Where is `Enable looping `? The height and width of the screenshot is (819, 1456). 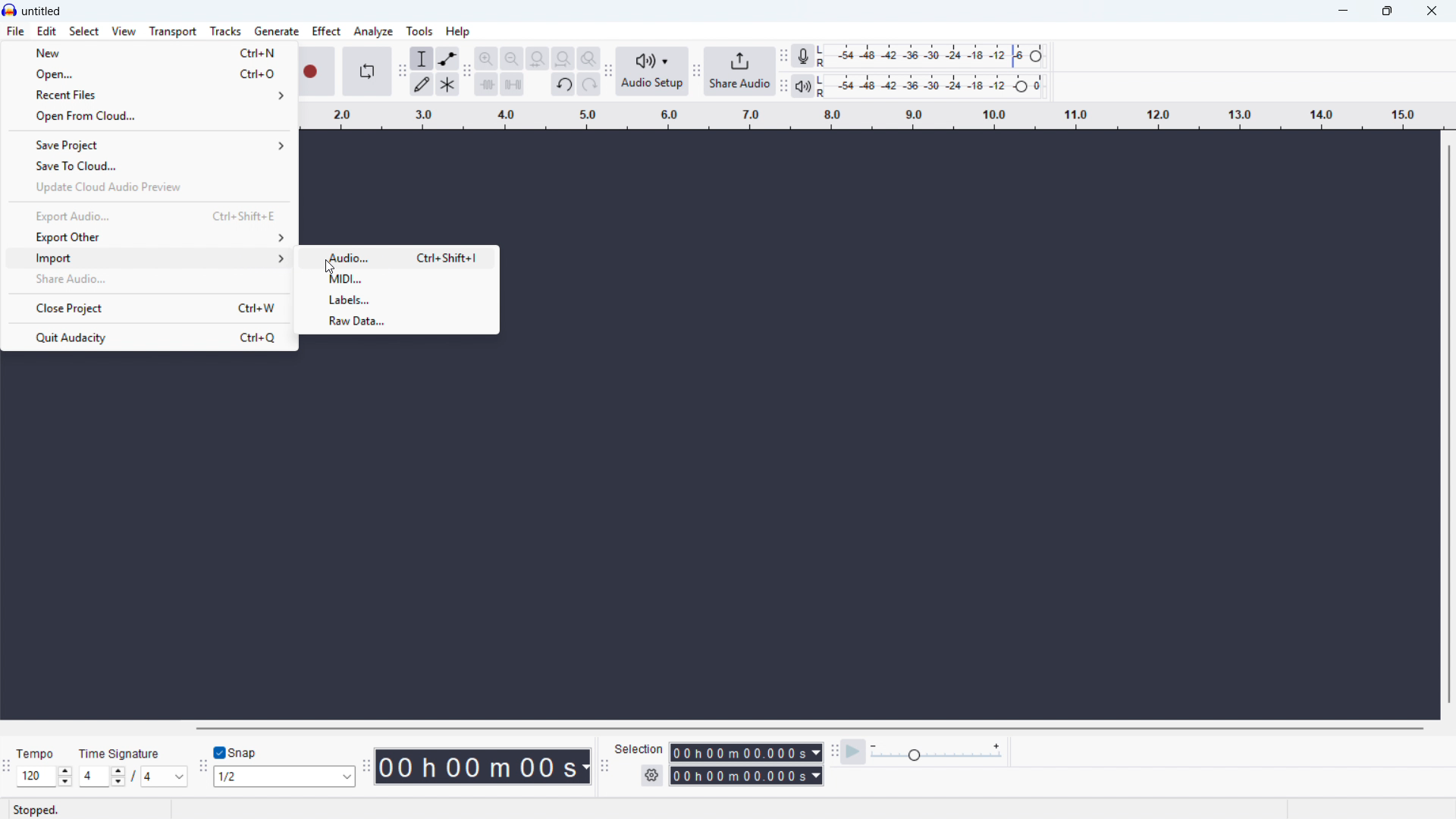
Enable looping  is located at coordinates (366, 71).